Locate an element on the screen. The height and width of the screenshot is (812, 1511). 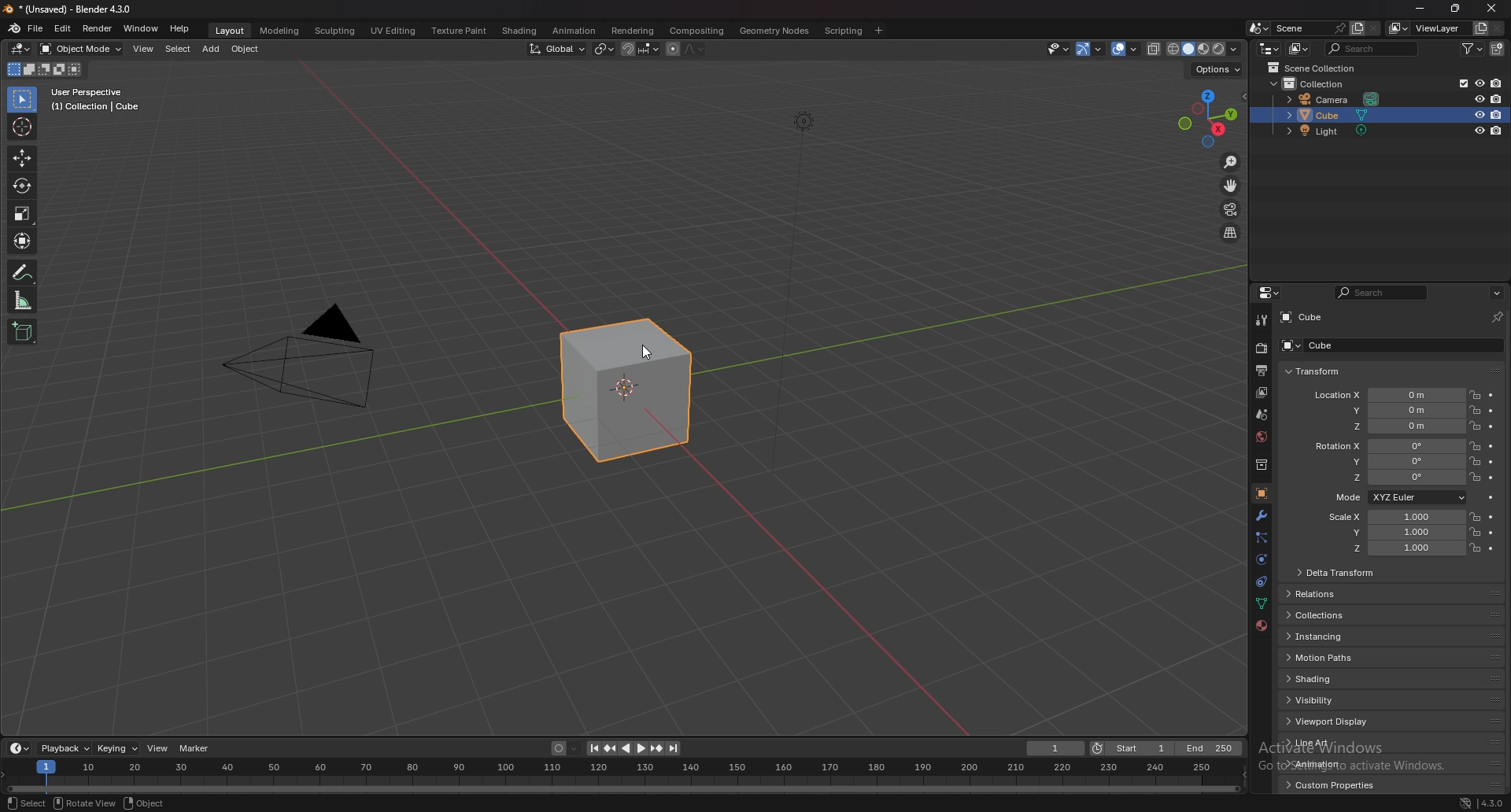
mode is located at coordinates (1398, 496).